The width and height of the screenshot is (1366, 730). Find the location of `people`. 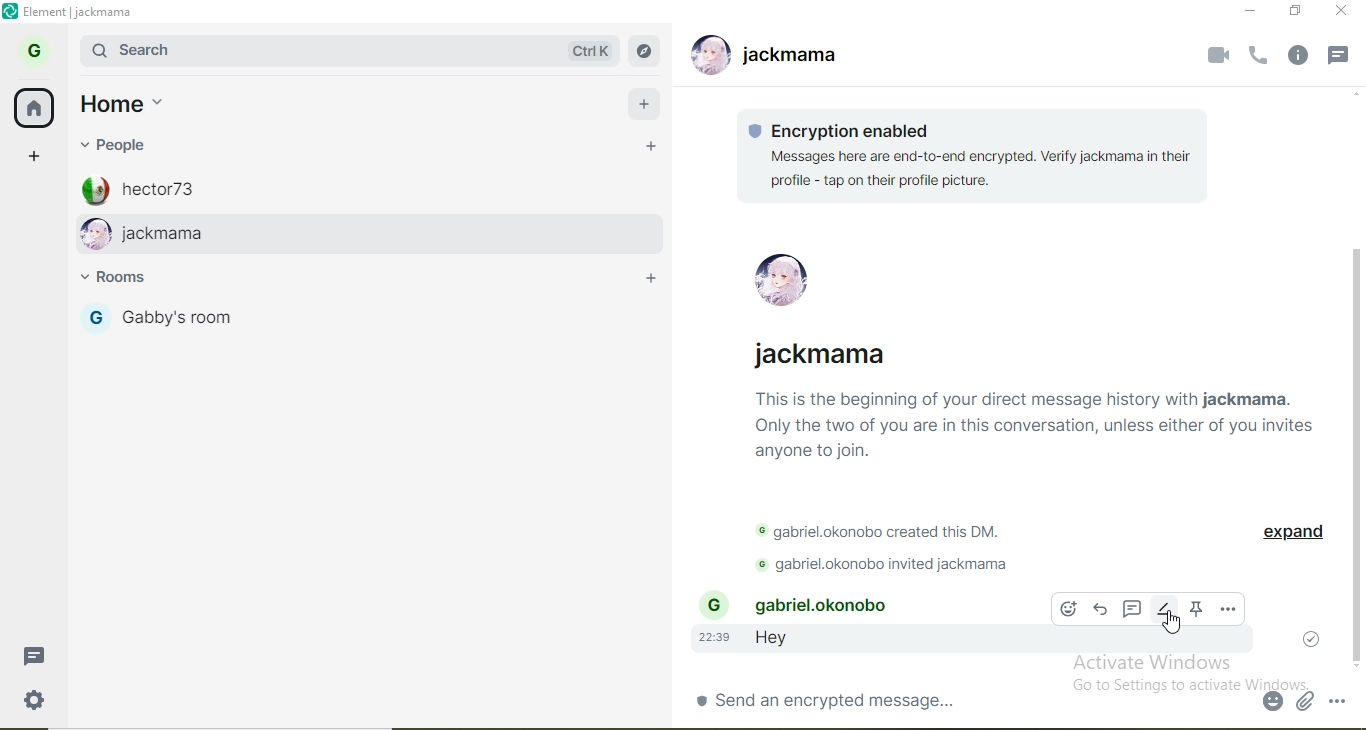

people is located at coordinates (118, 144).